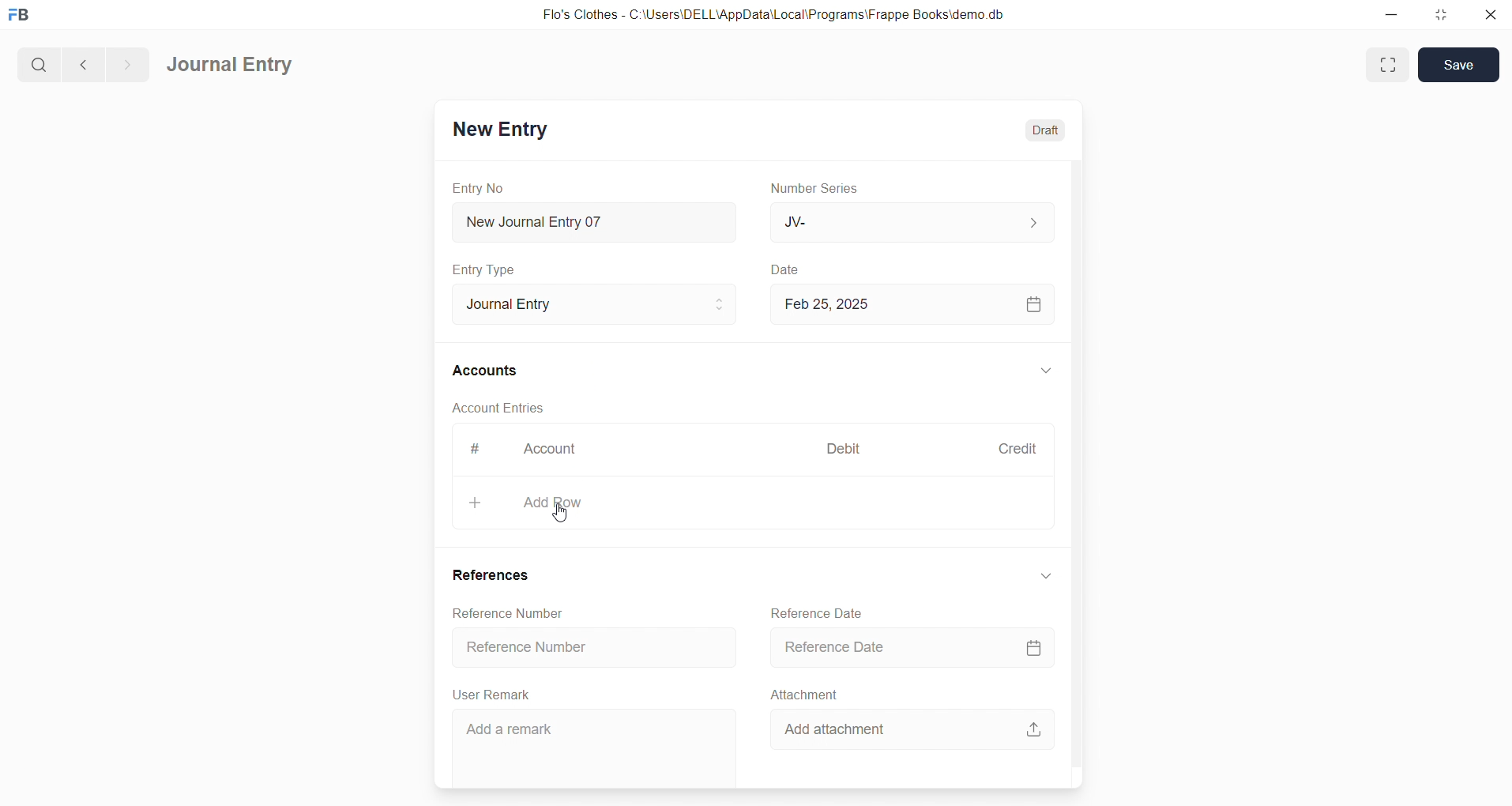 The image size is (1512, 806). Describe the element at coordinates (844, 447) in the screenshot. I see `Debit` at that location.